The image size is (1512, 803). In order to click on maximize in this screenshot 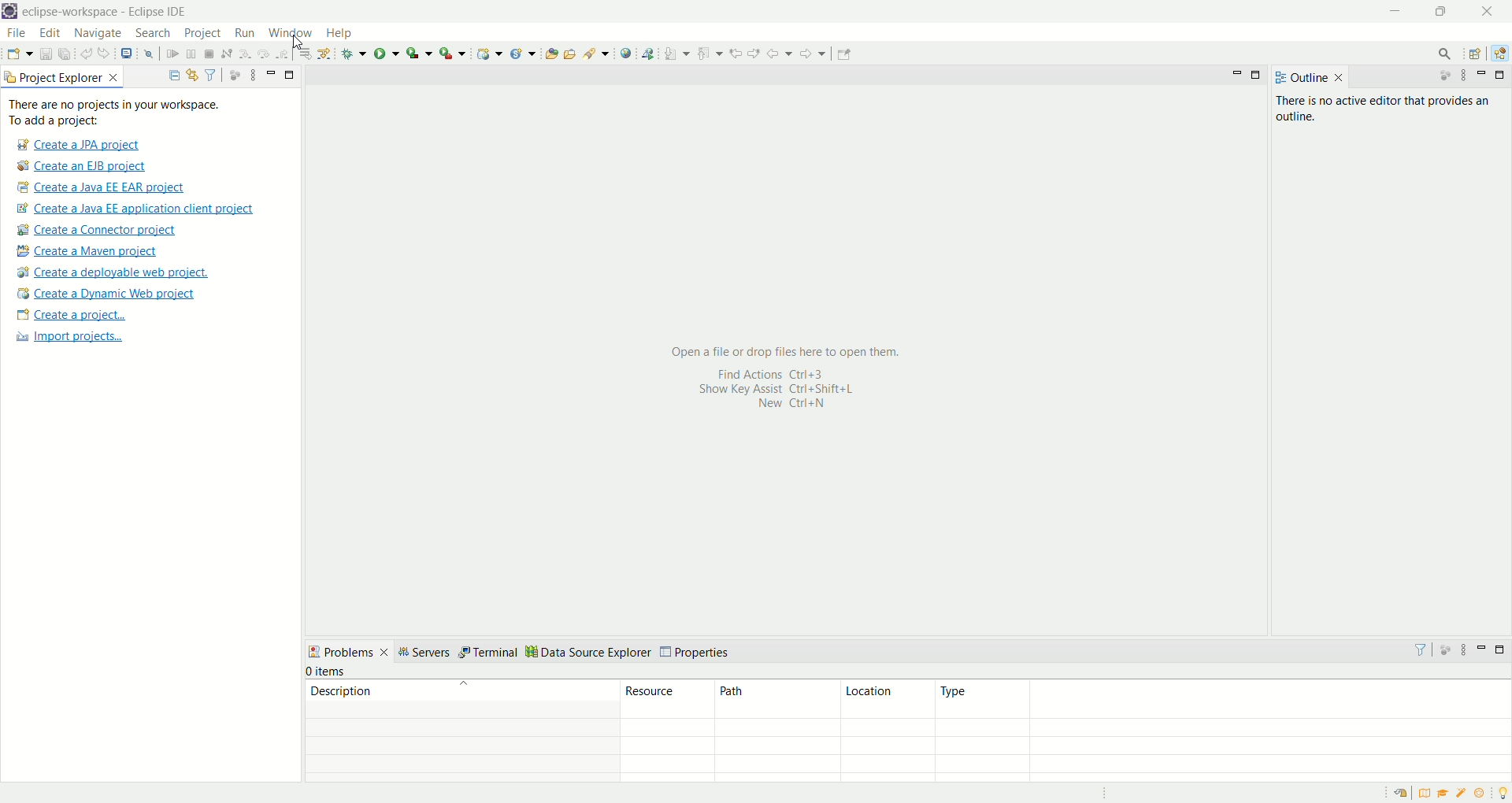, I will do `click(1445, 11)`.